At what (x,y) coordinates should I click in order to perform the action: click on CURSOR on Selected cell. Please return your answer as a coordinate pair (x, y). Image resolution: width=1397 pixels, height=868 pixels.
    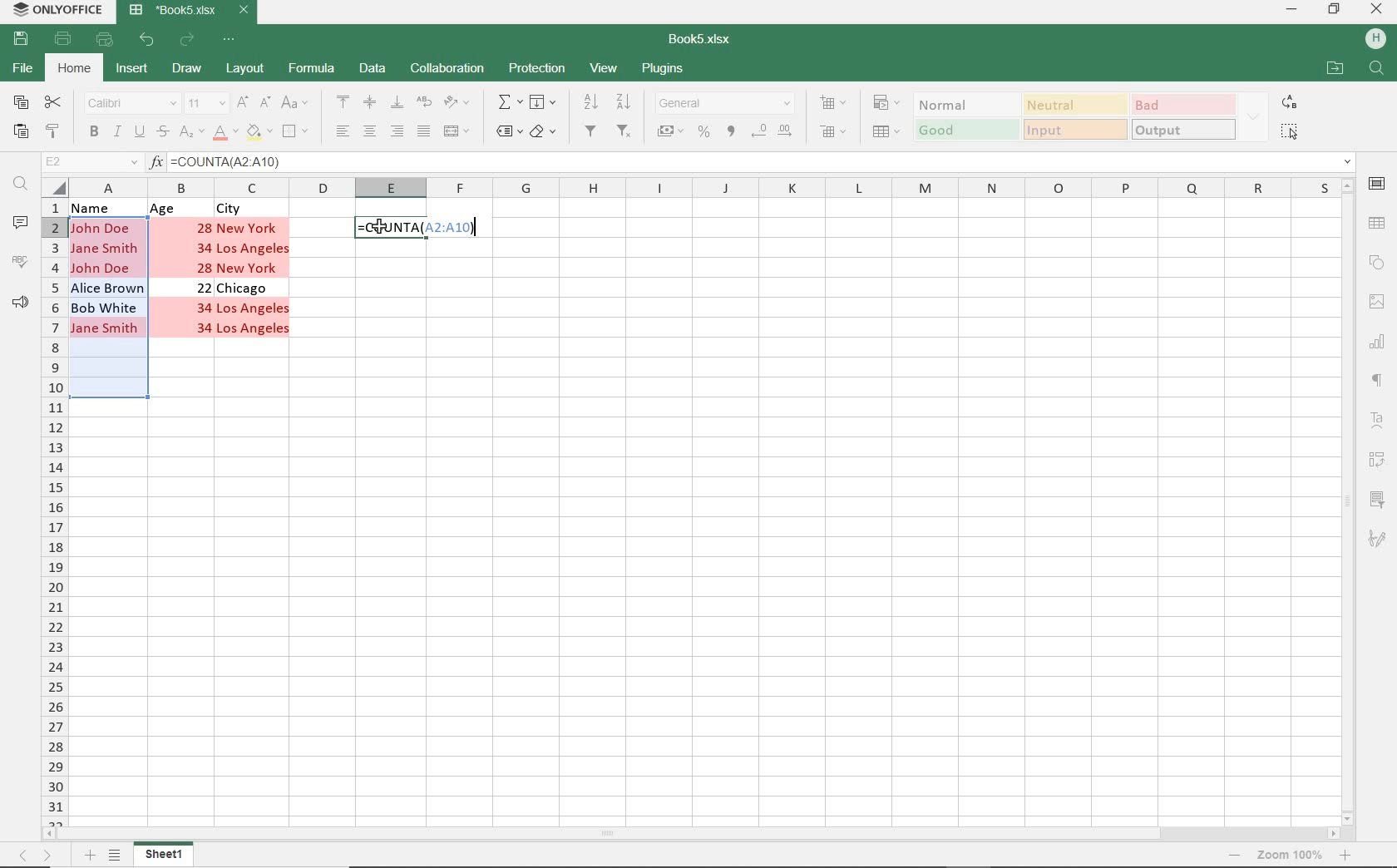
    Looking at the image, I should click on (380, 229).